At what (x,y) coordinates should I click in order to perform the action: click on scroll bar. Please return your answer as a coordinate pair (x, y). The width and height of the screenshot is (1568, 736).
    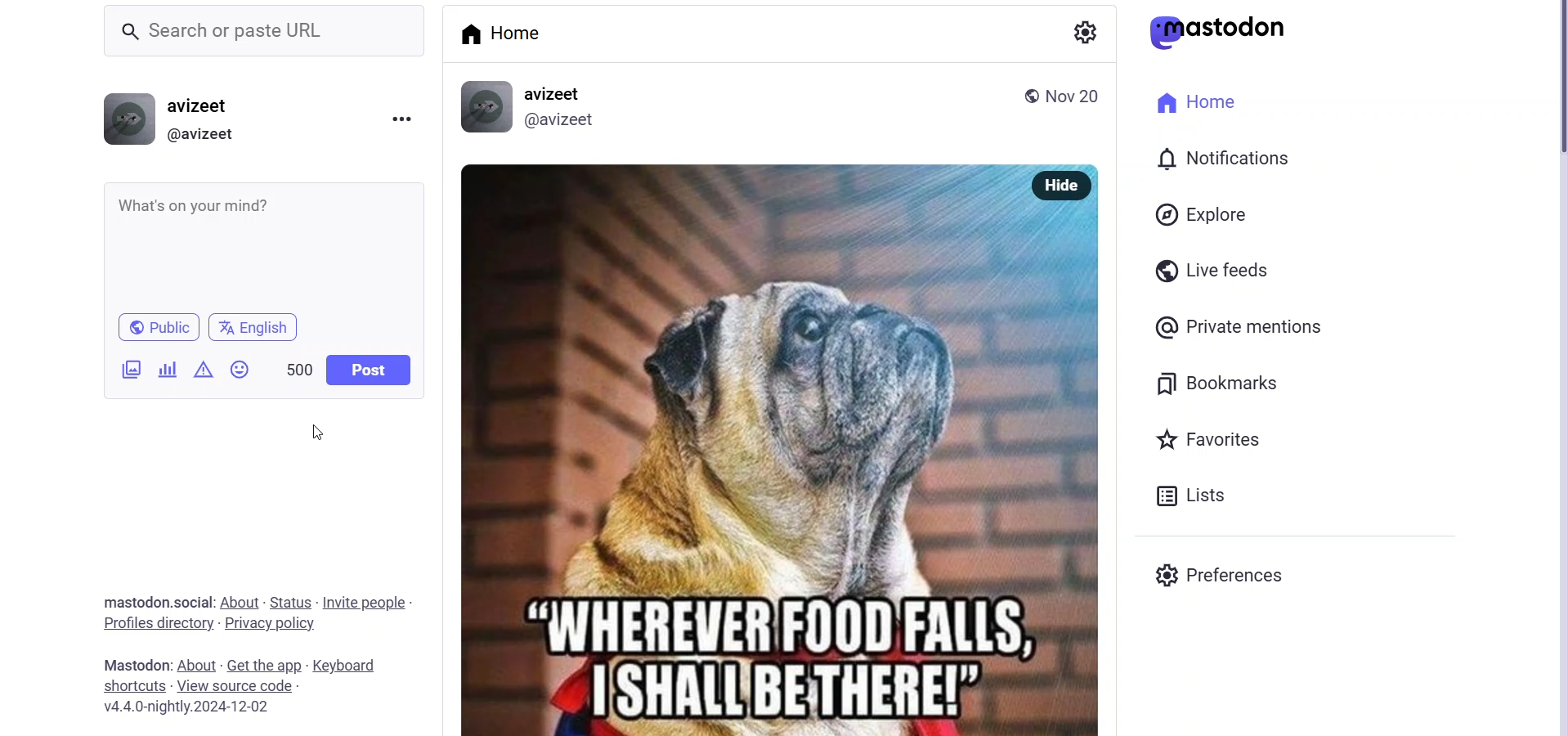
    Looking at the image, I should click on (1549, 92).